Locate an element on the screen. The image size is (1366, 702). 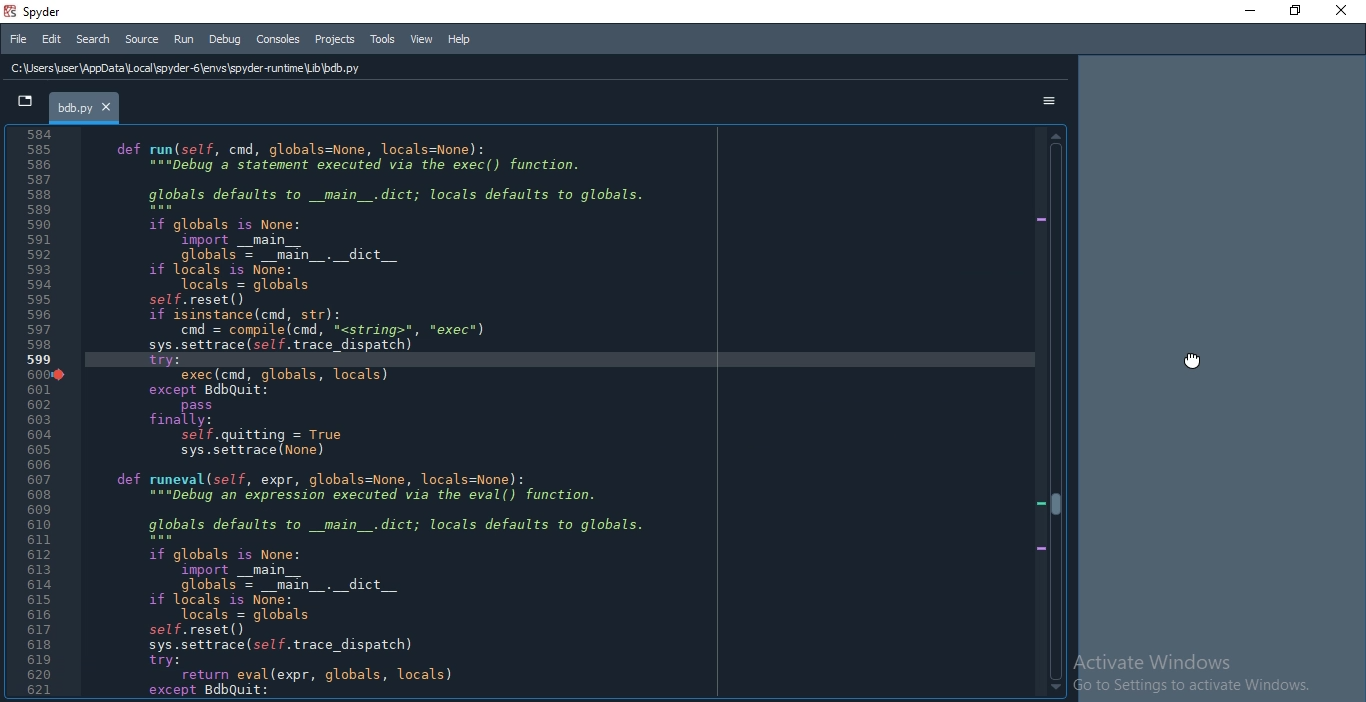
Debug is located at coordinates (224, 38).